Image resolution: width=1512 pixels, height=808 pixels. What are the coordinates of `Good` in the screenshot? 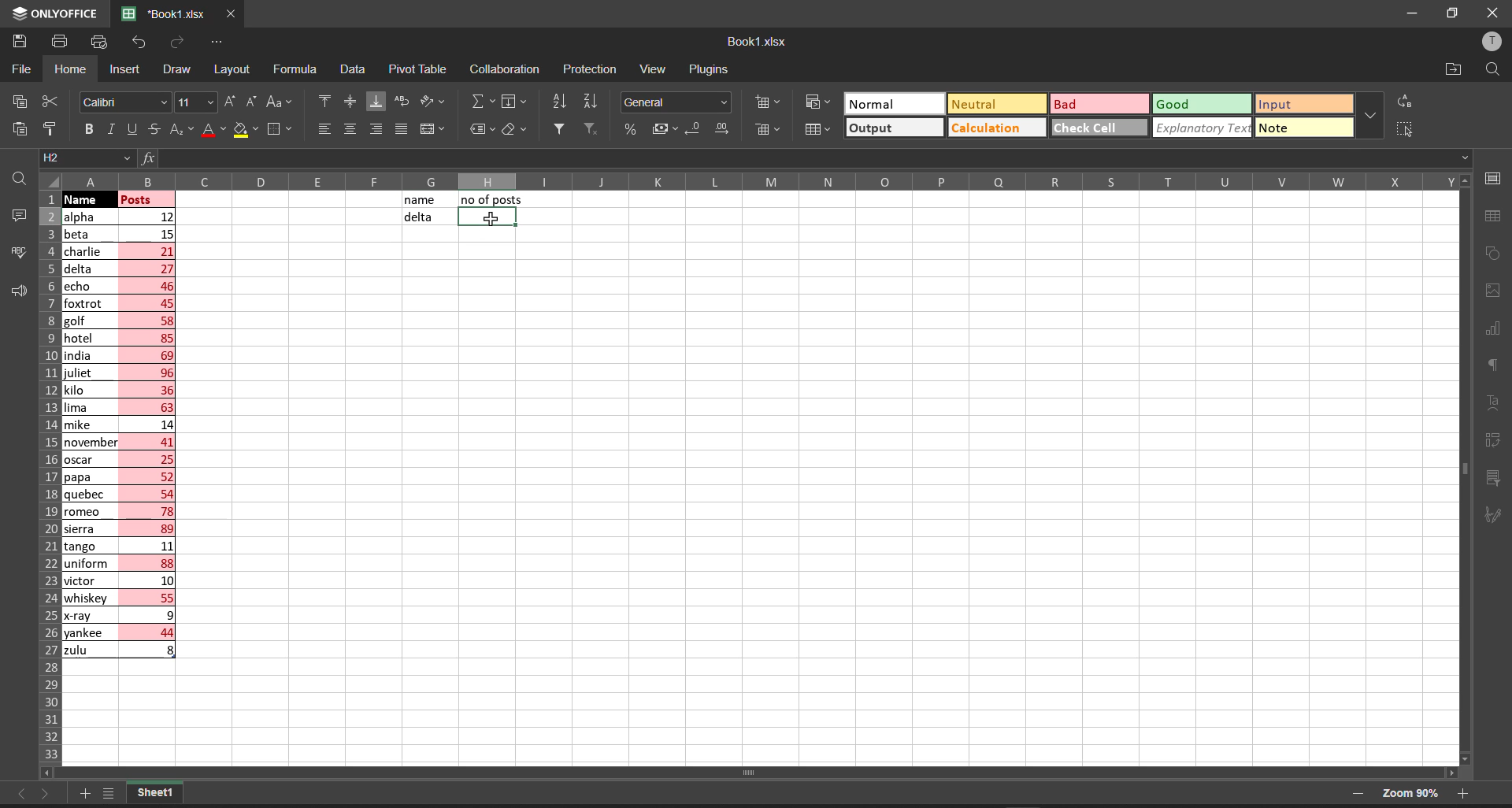 It's located at (1175, 103).